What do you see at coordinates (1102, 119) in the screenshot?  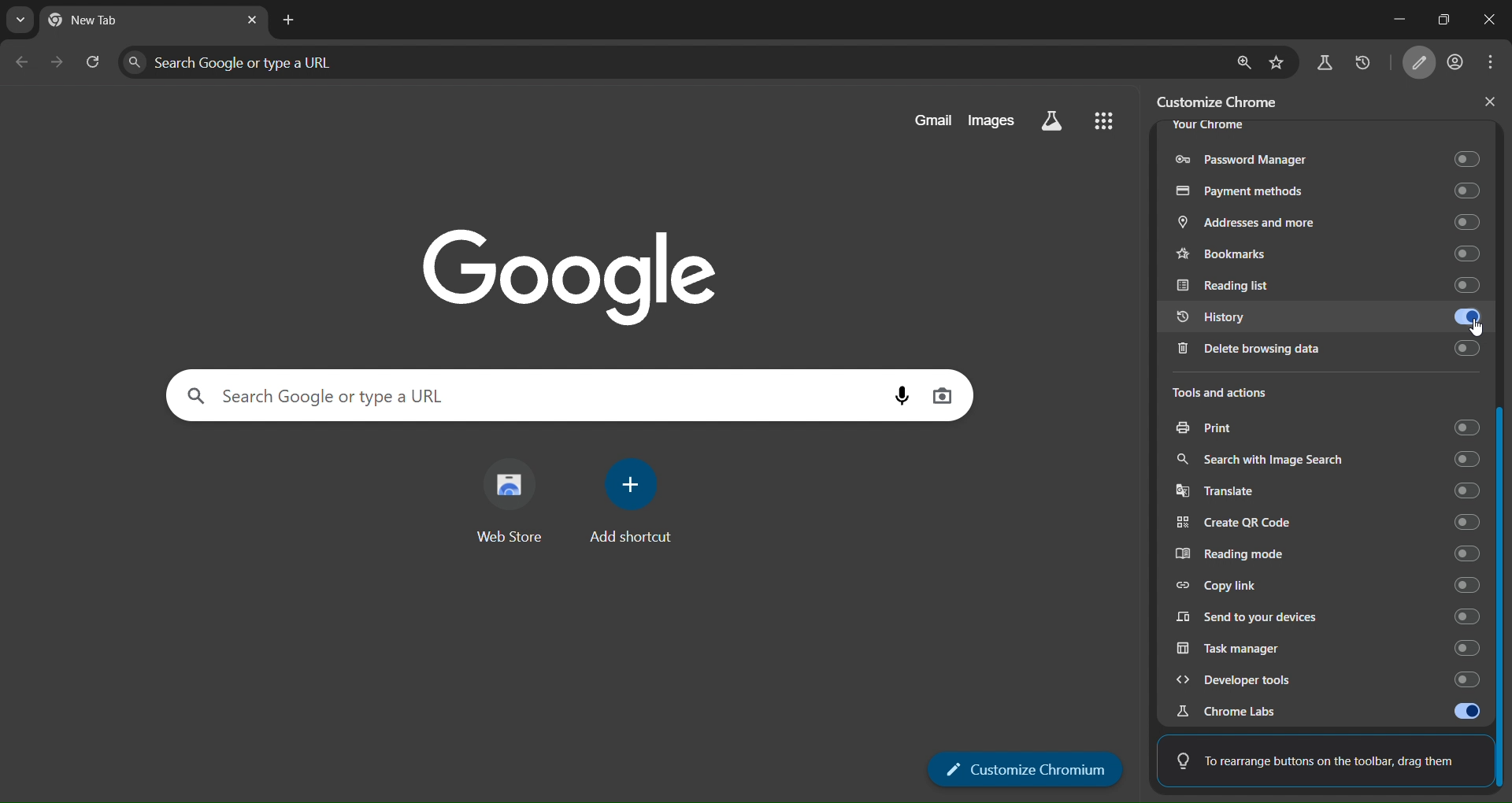 I see `google apps` at bounding box center [1102, 119].